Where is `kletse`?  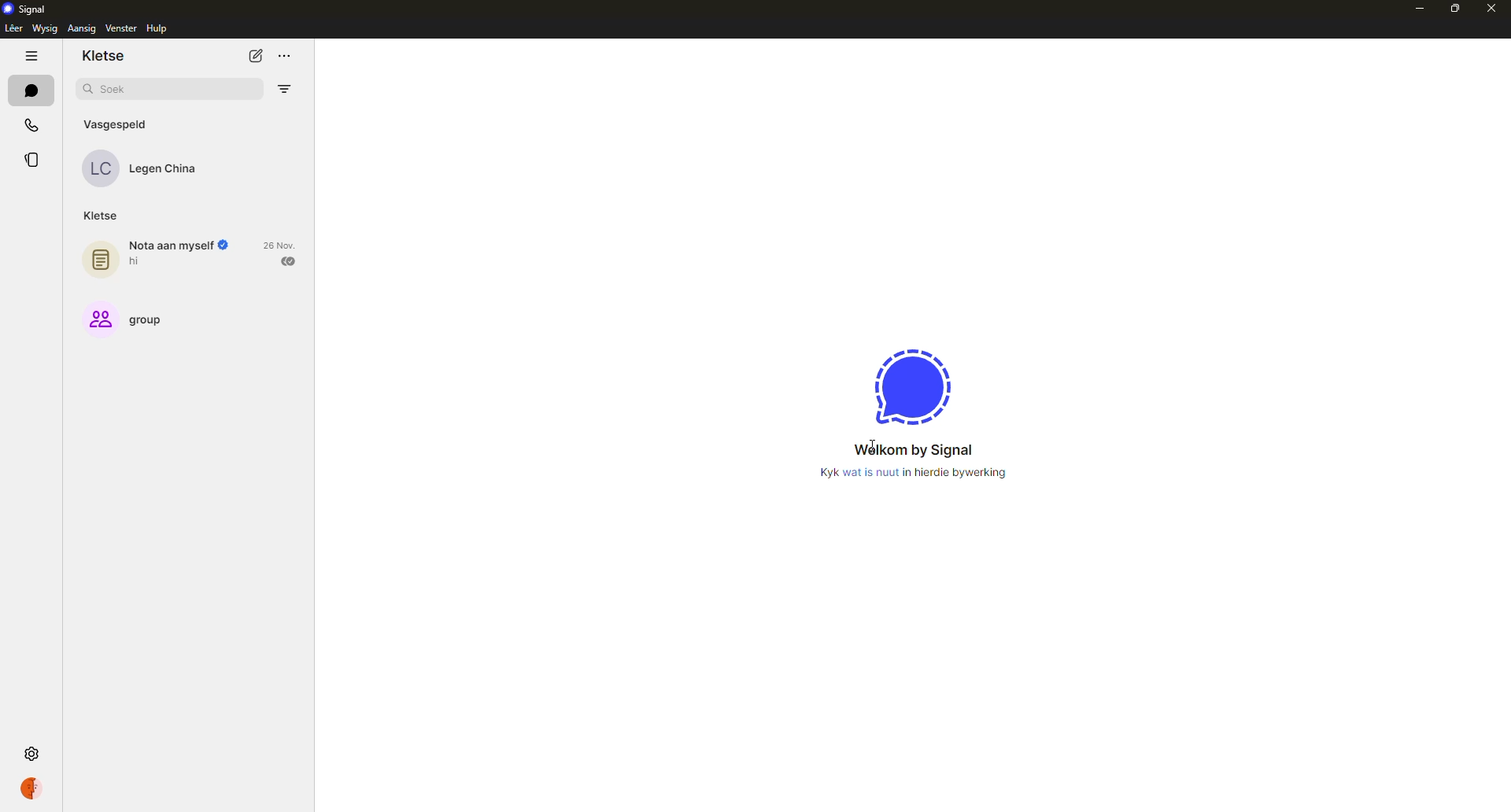 kletse is located at coordinates (100, 216).